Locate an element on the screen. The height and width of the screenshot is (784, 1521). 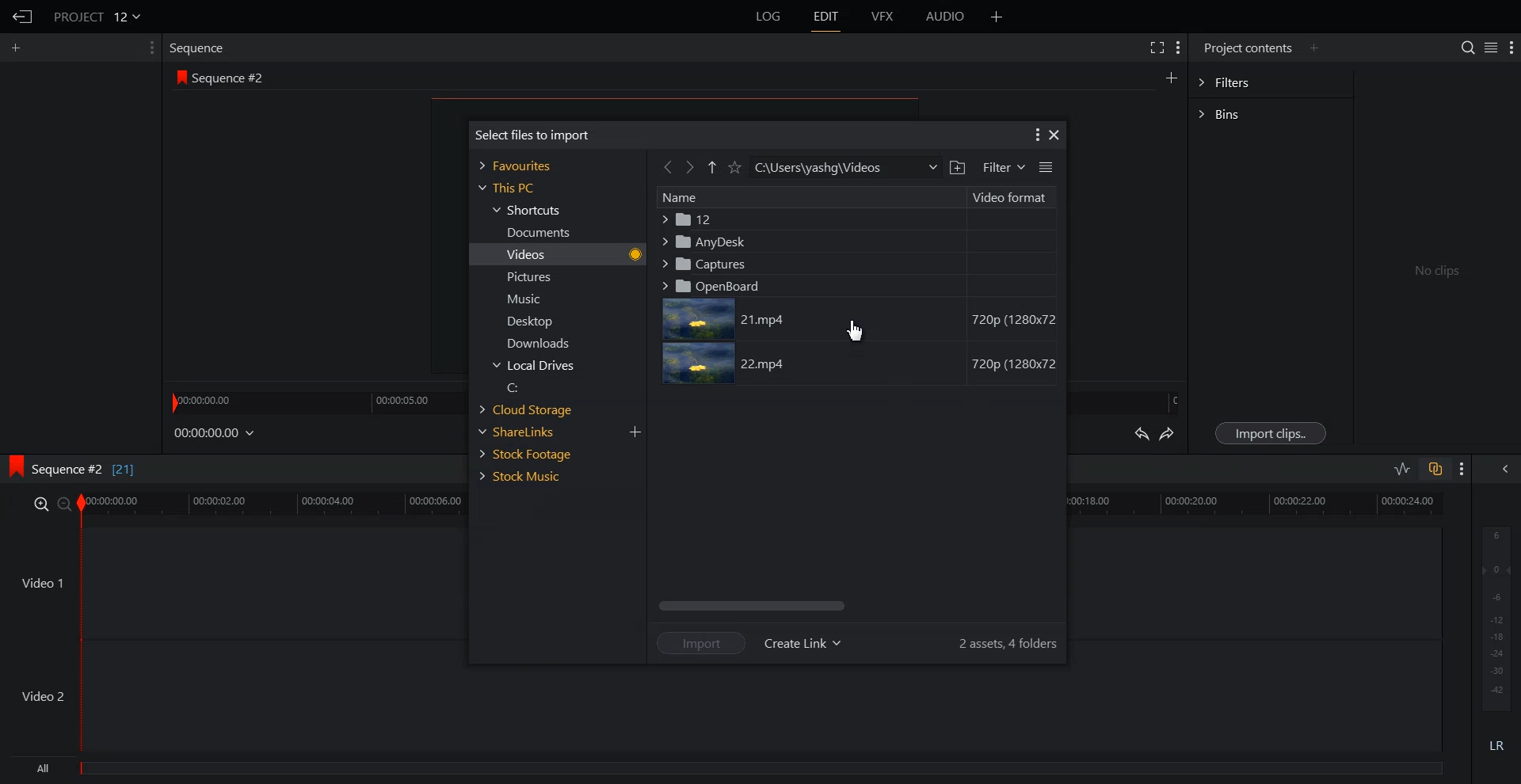
Sequence #2 is located at coordinates (230, 78).